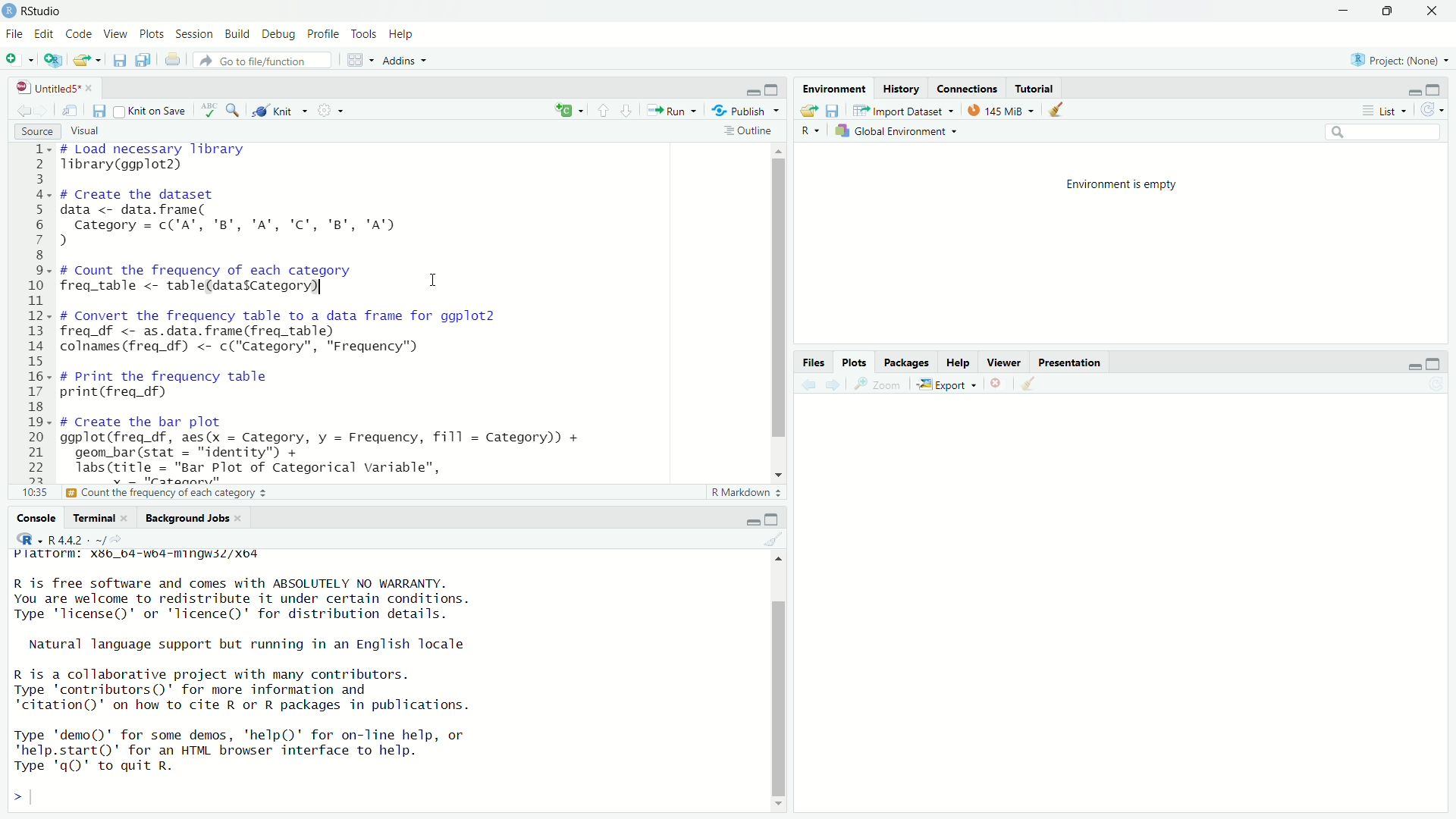 This screenshot has height=819, width=1456. I want to click on clear all plots, so click(1030, 384).